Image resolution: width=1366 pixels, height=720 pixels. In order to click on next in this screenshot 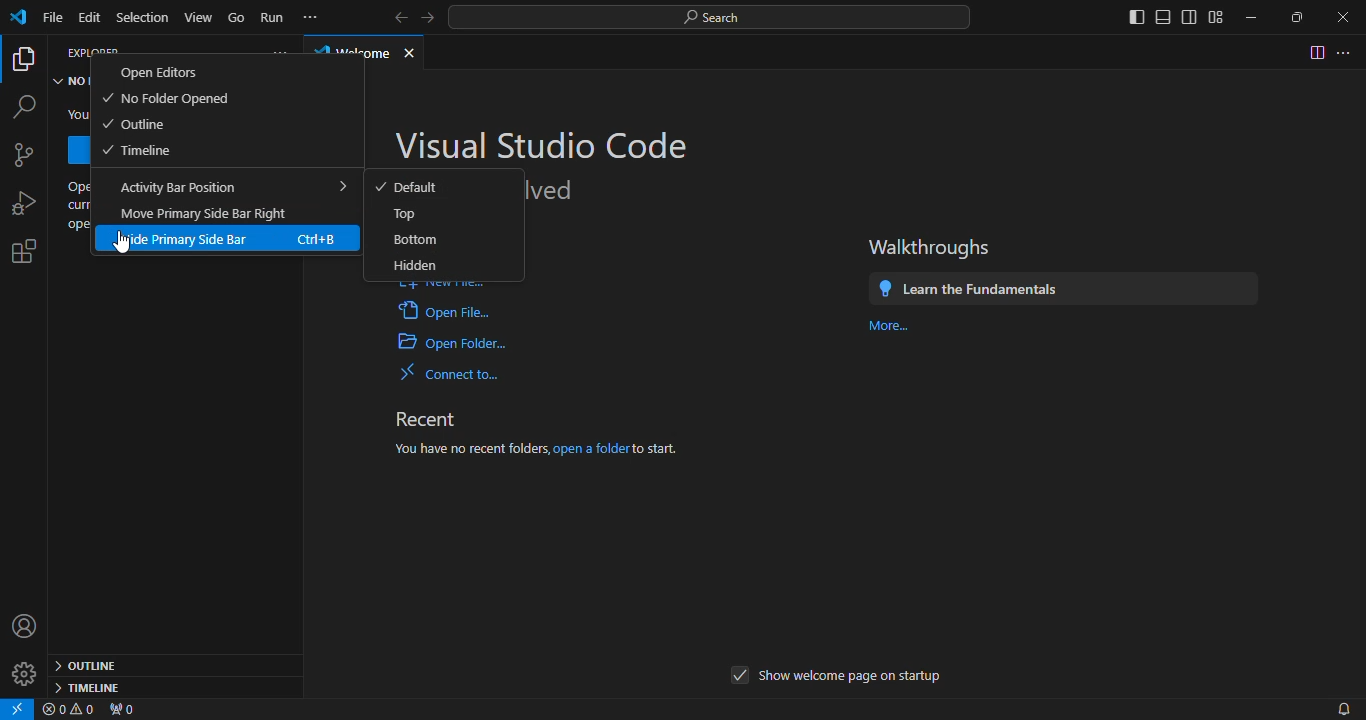, I will do `click(432, 17)`.